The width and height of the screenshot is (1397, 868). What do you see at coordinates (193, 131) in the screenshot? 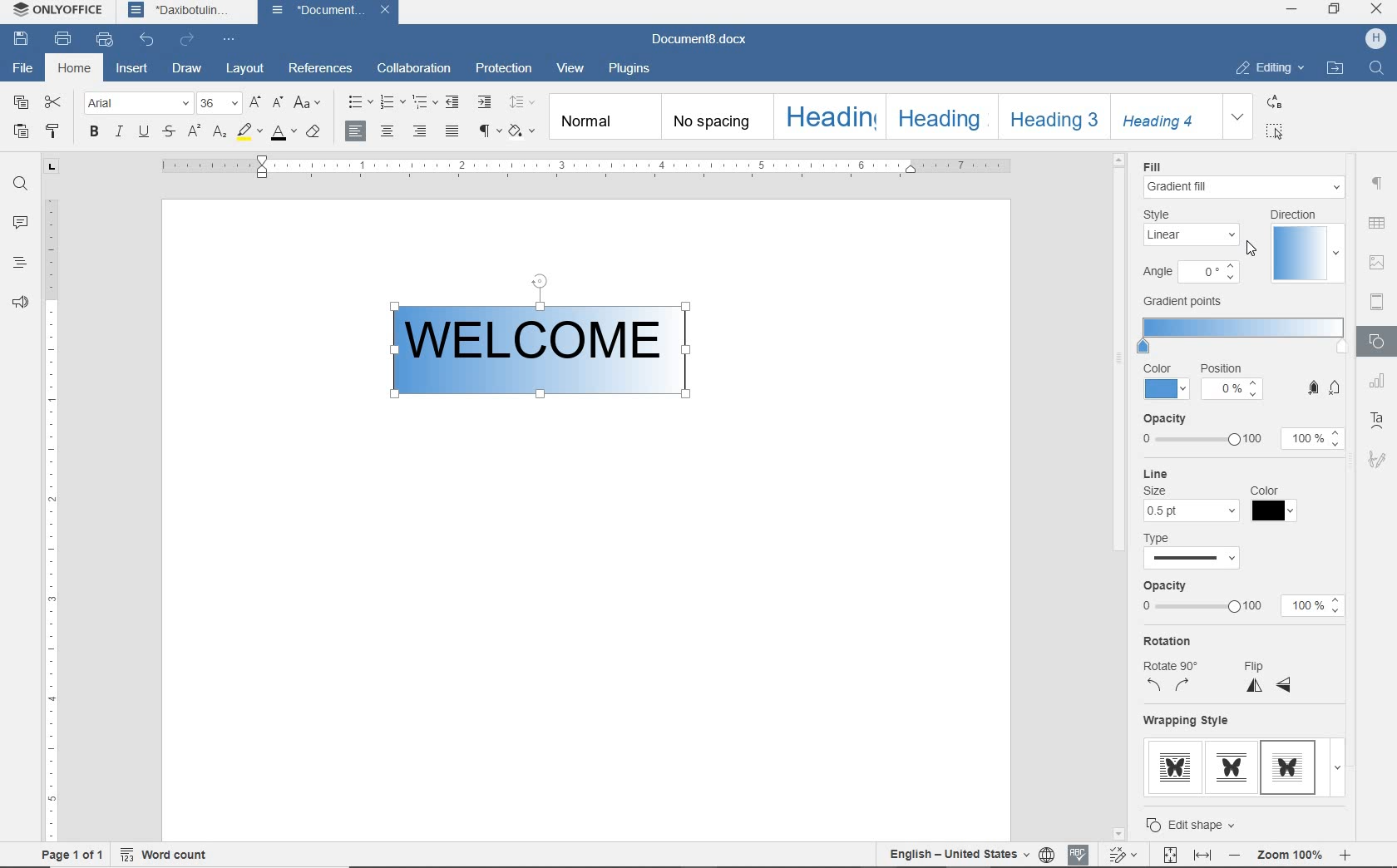
I see `SUPERSCRIPT` at bounding box center [193, 131].